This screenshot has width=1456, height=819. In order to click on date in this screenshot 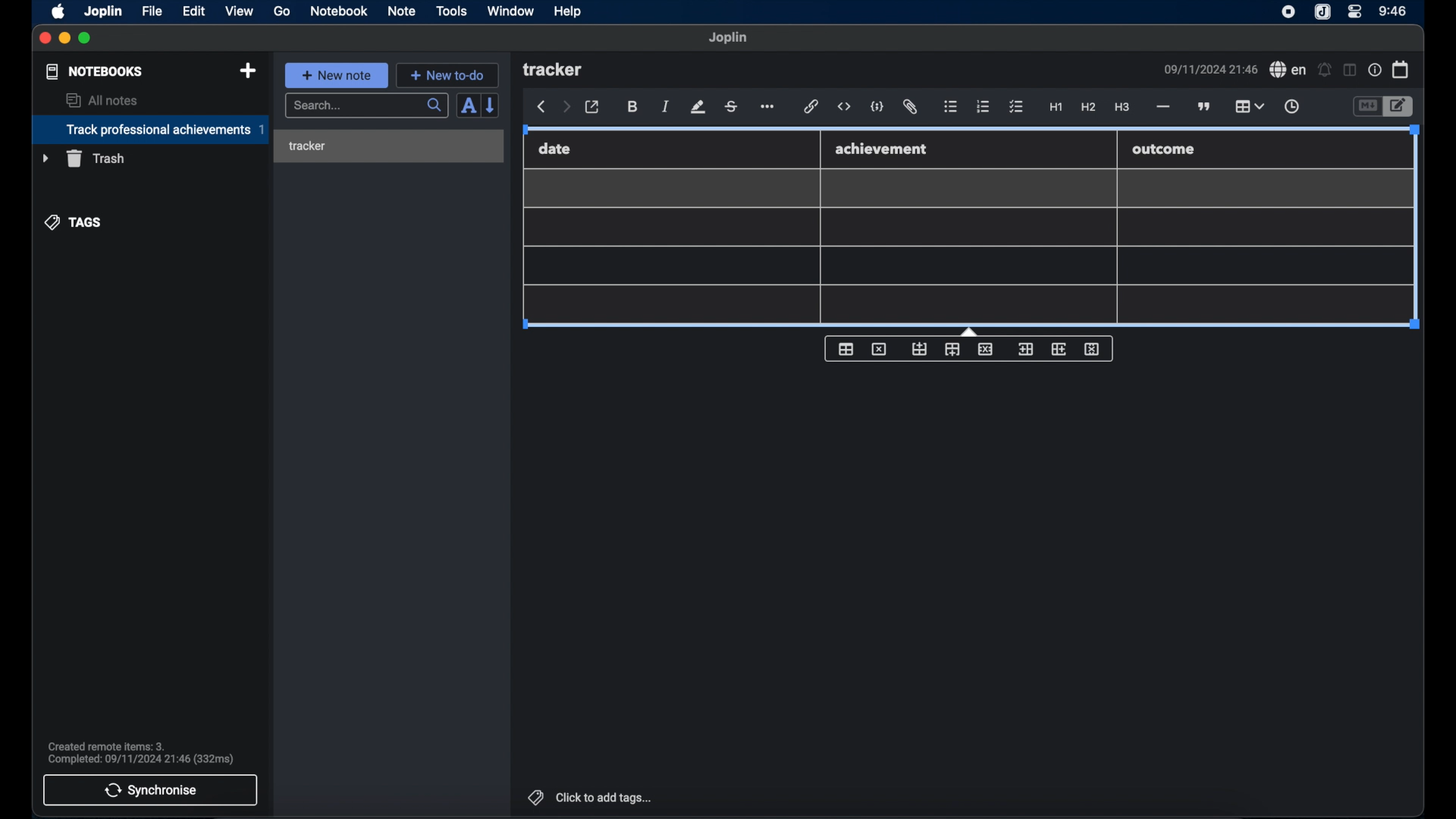, I will do `click(555, 149)`.